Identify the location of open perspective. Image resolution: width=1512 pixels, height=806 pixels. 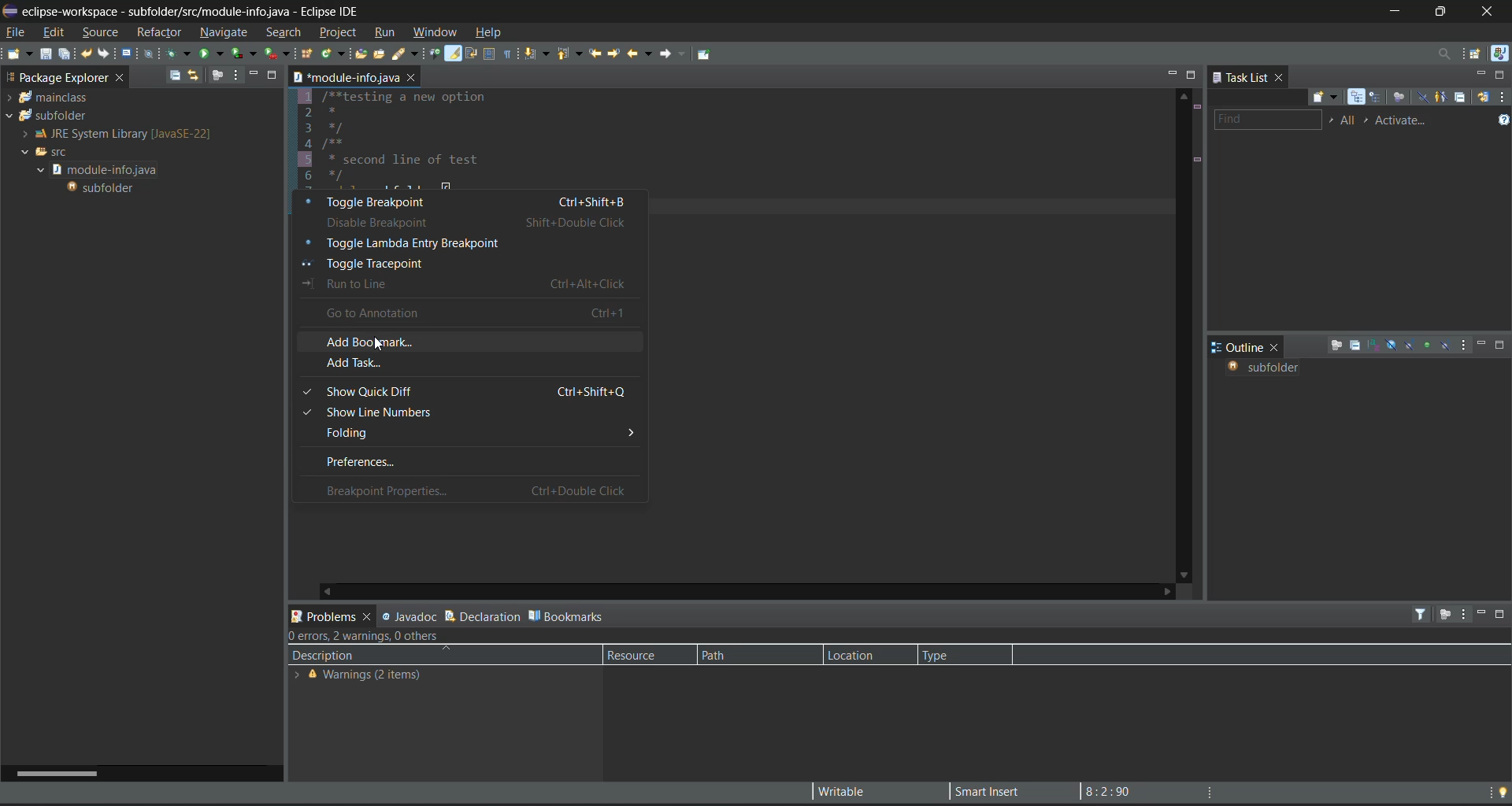
(1478, 55).